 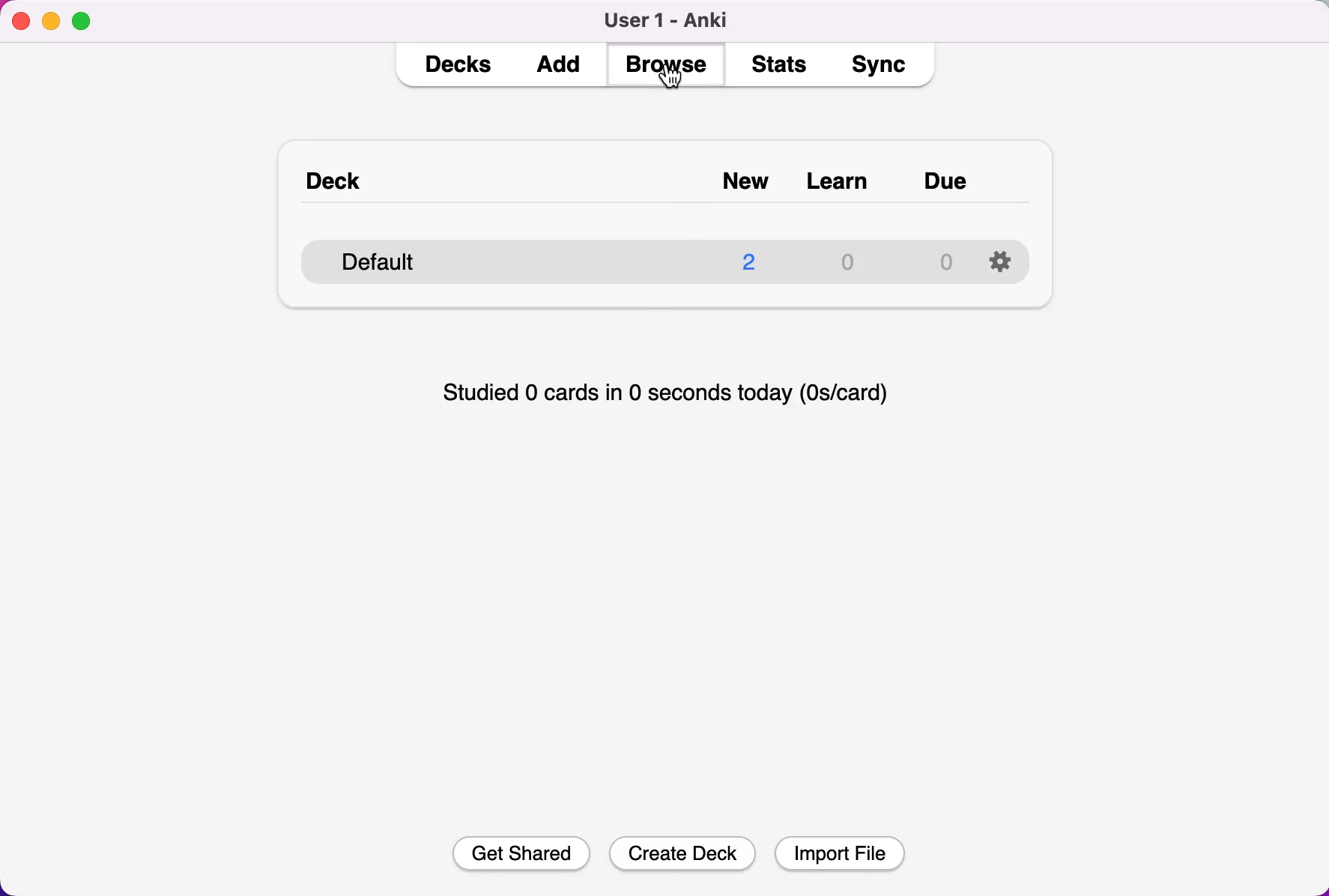 What do you see at coordinates (564, 68) in the screenshot?
I see `dd` at bounding box center [564, 68].